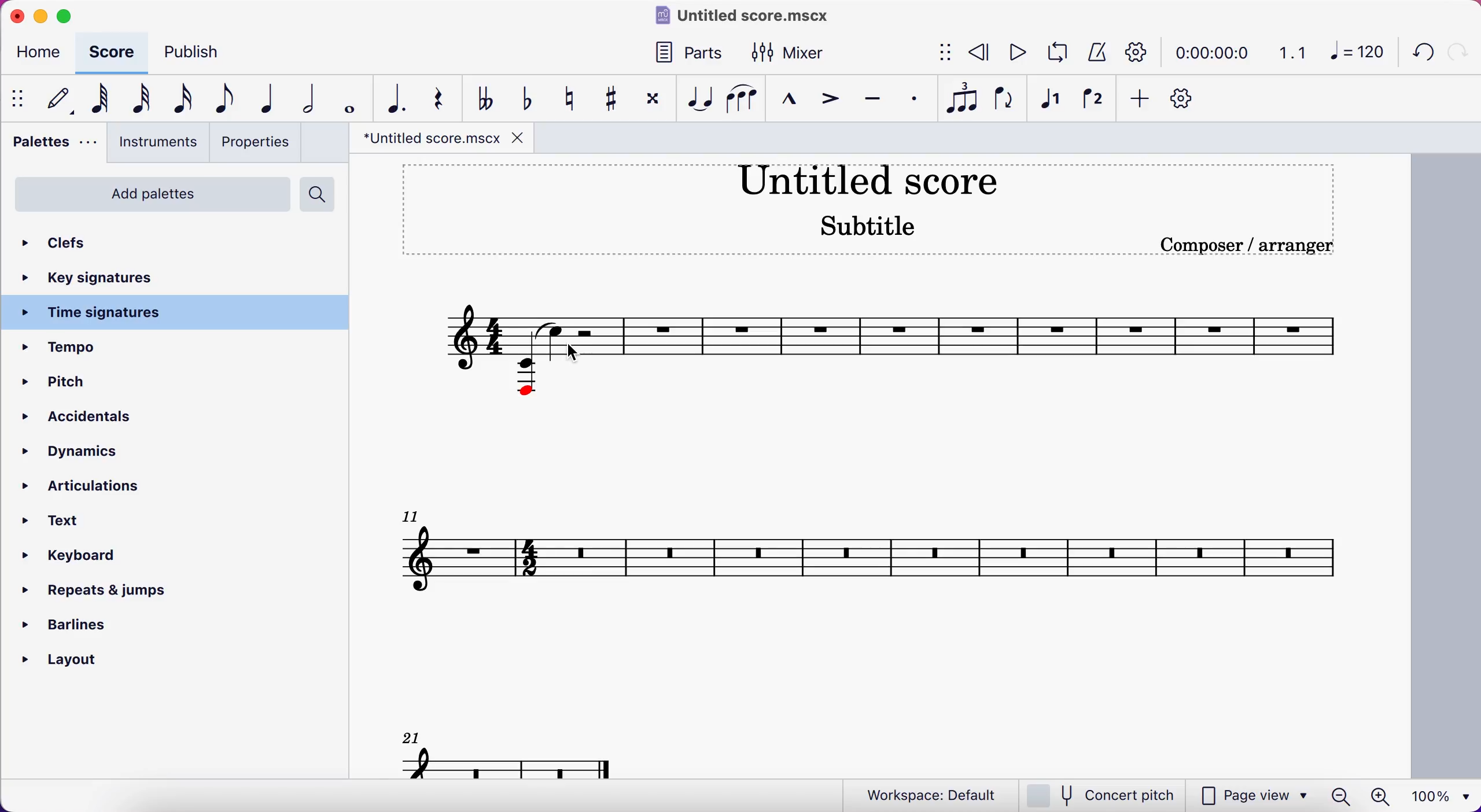  Describe the element at coordinates (68, 521) in the screenshot. I see `text` at that location.